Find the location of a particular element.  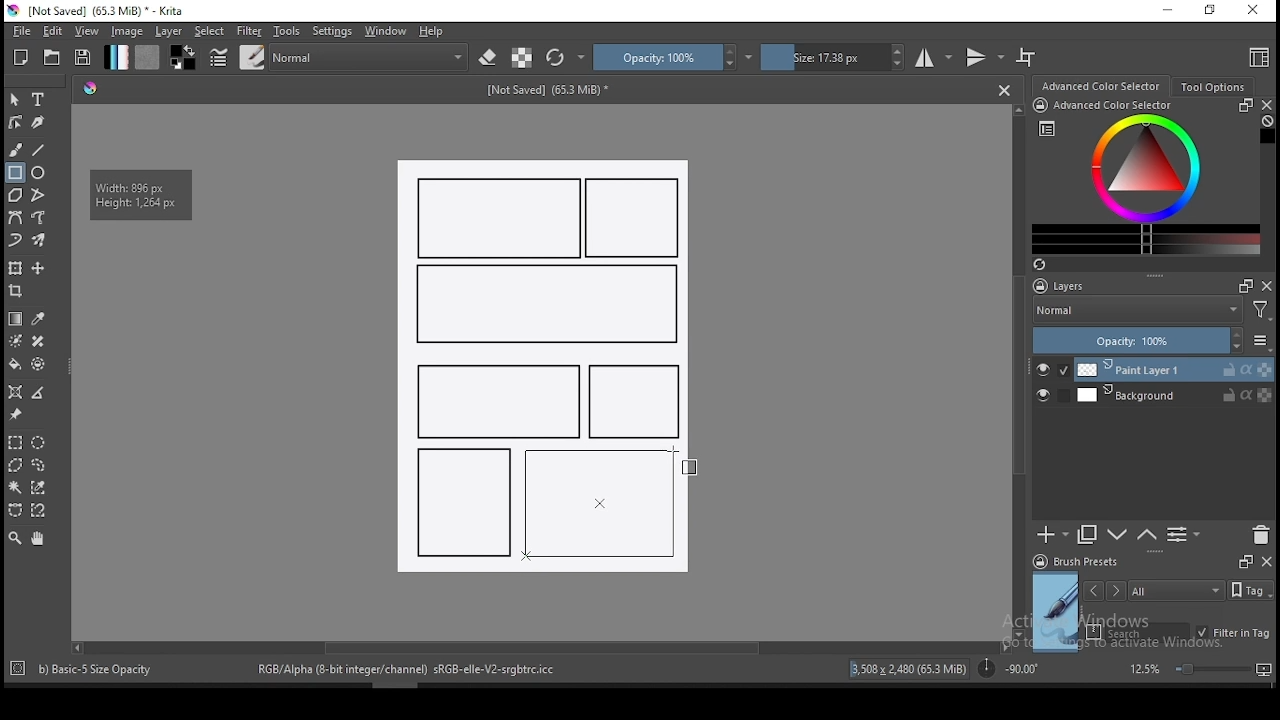

polygon tool is located at coordinates (14, 195).